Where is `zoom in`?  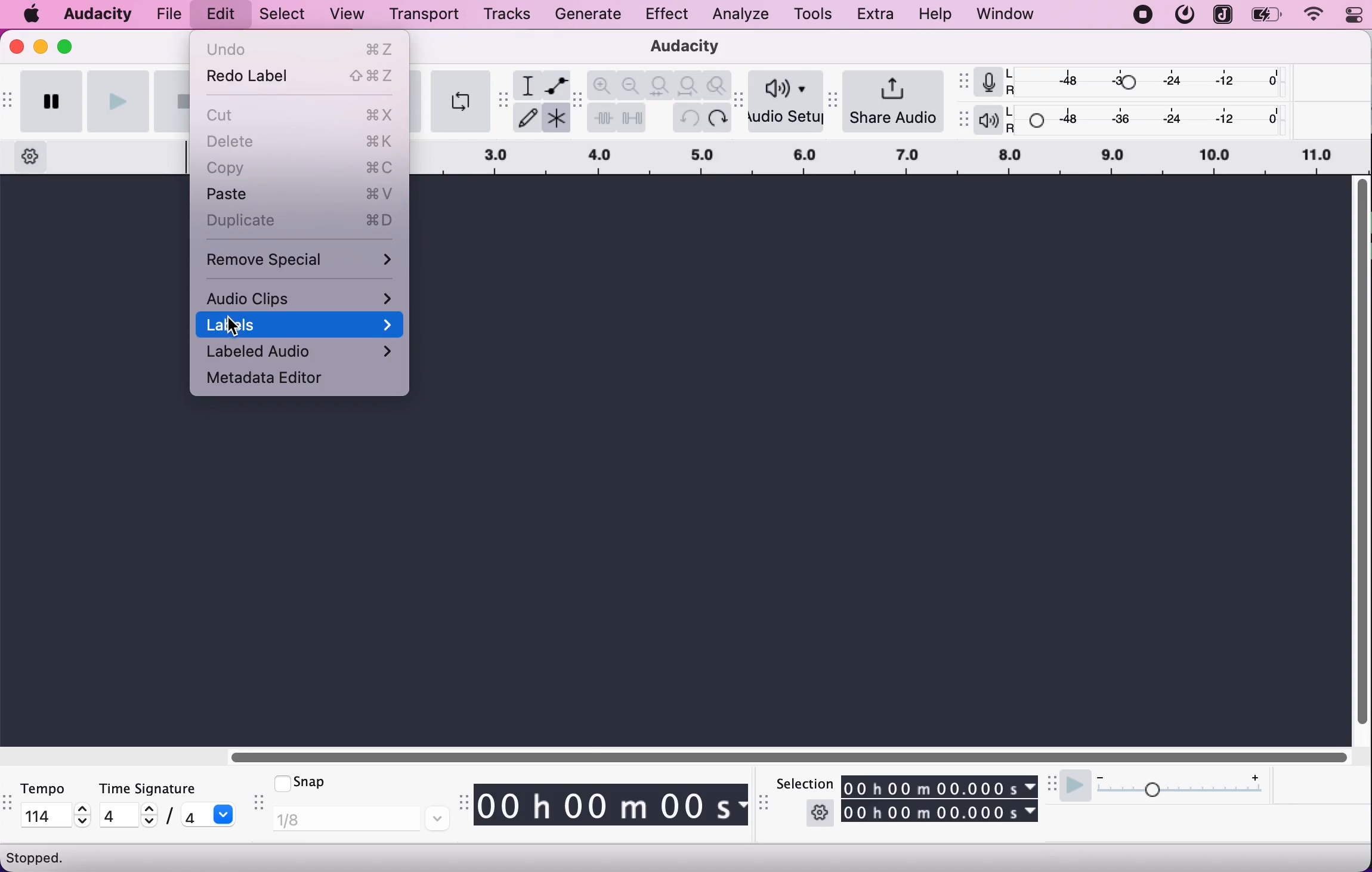 zoom in is located at coordinates (603, 85).